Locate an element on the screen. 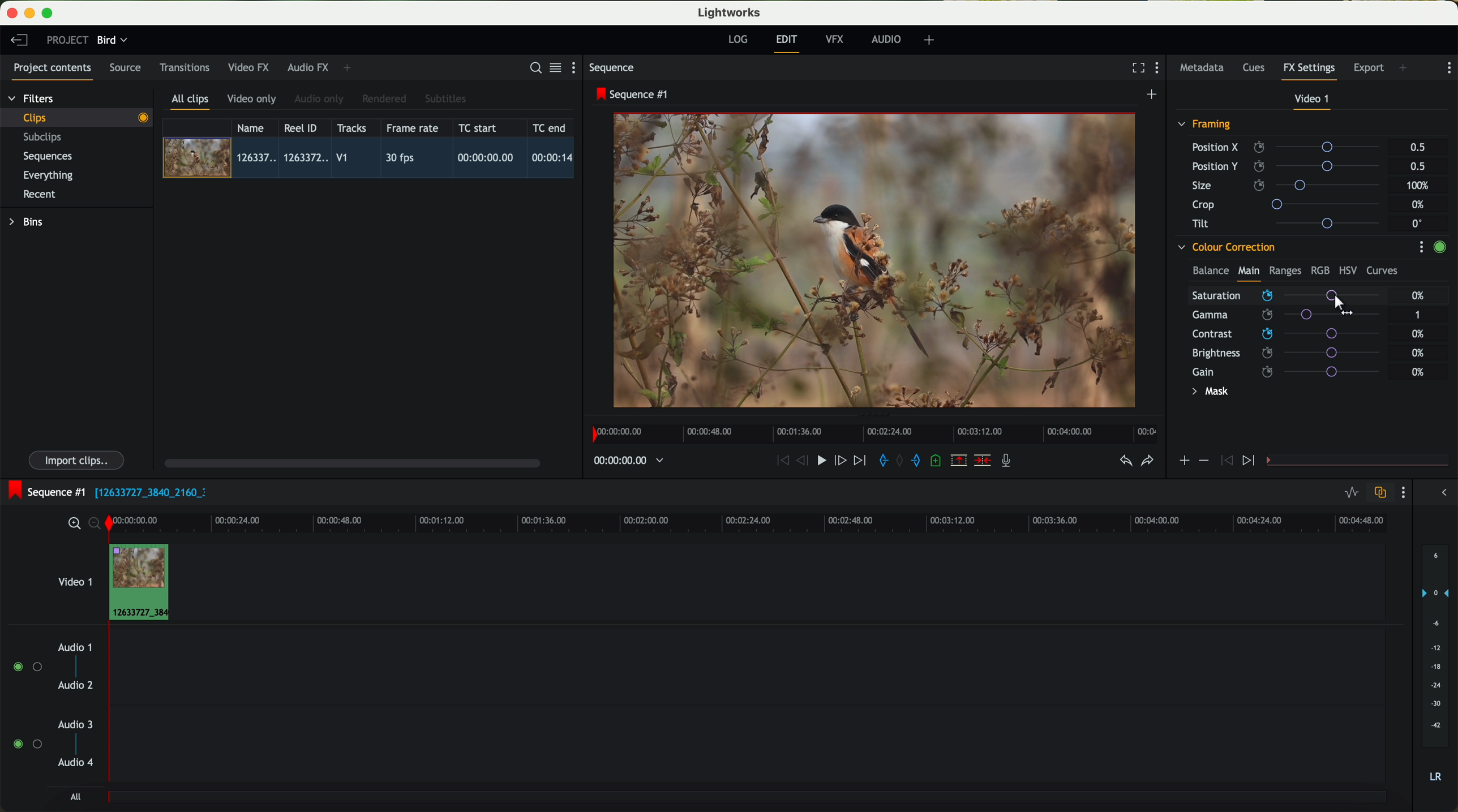  100% is located at coordinates (1421, 186).